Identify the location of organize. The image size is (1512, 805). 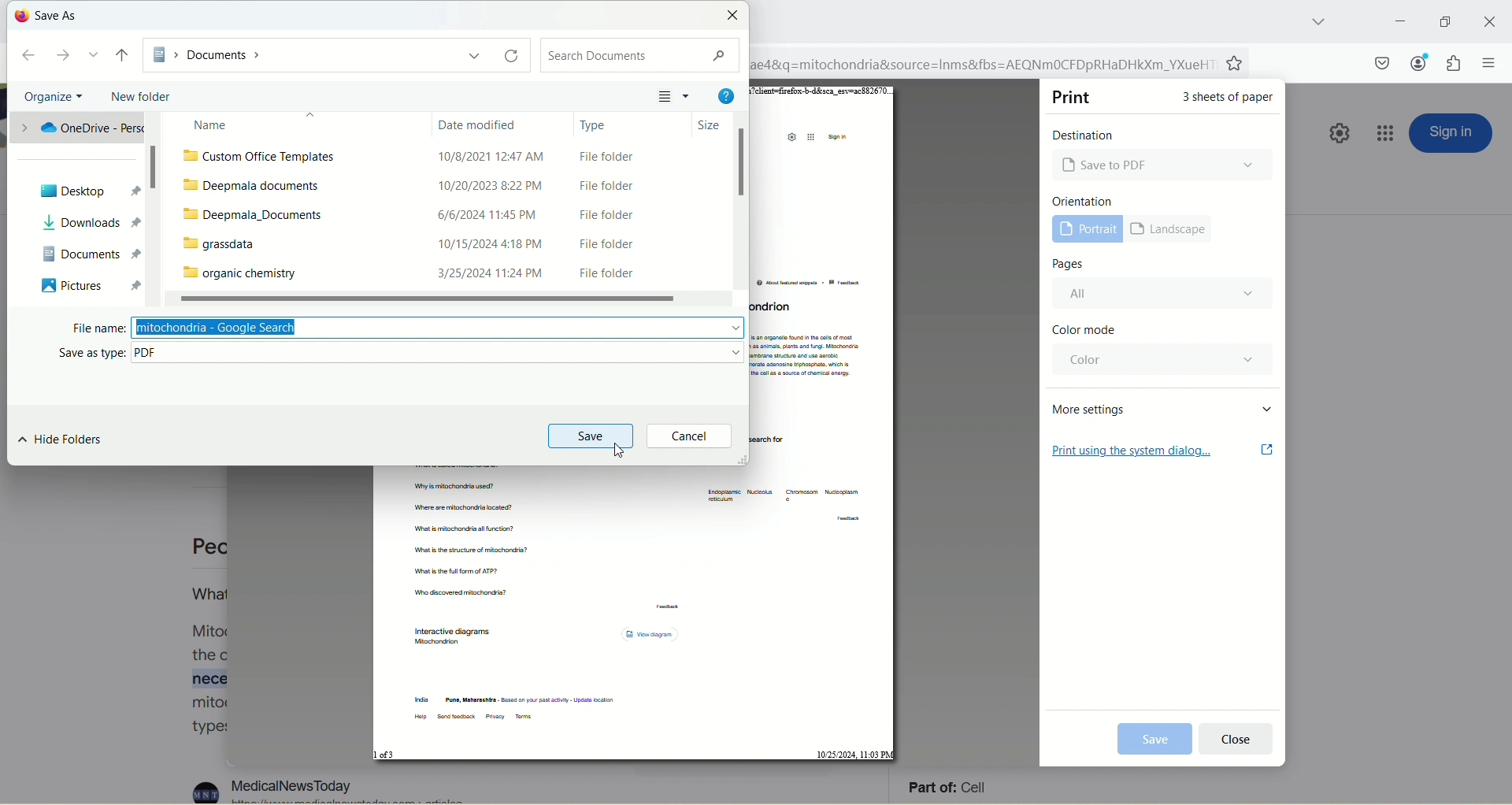
(55, 96).